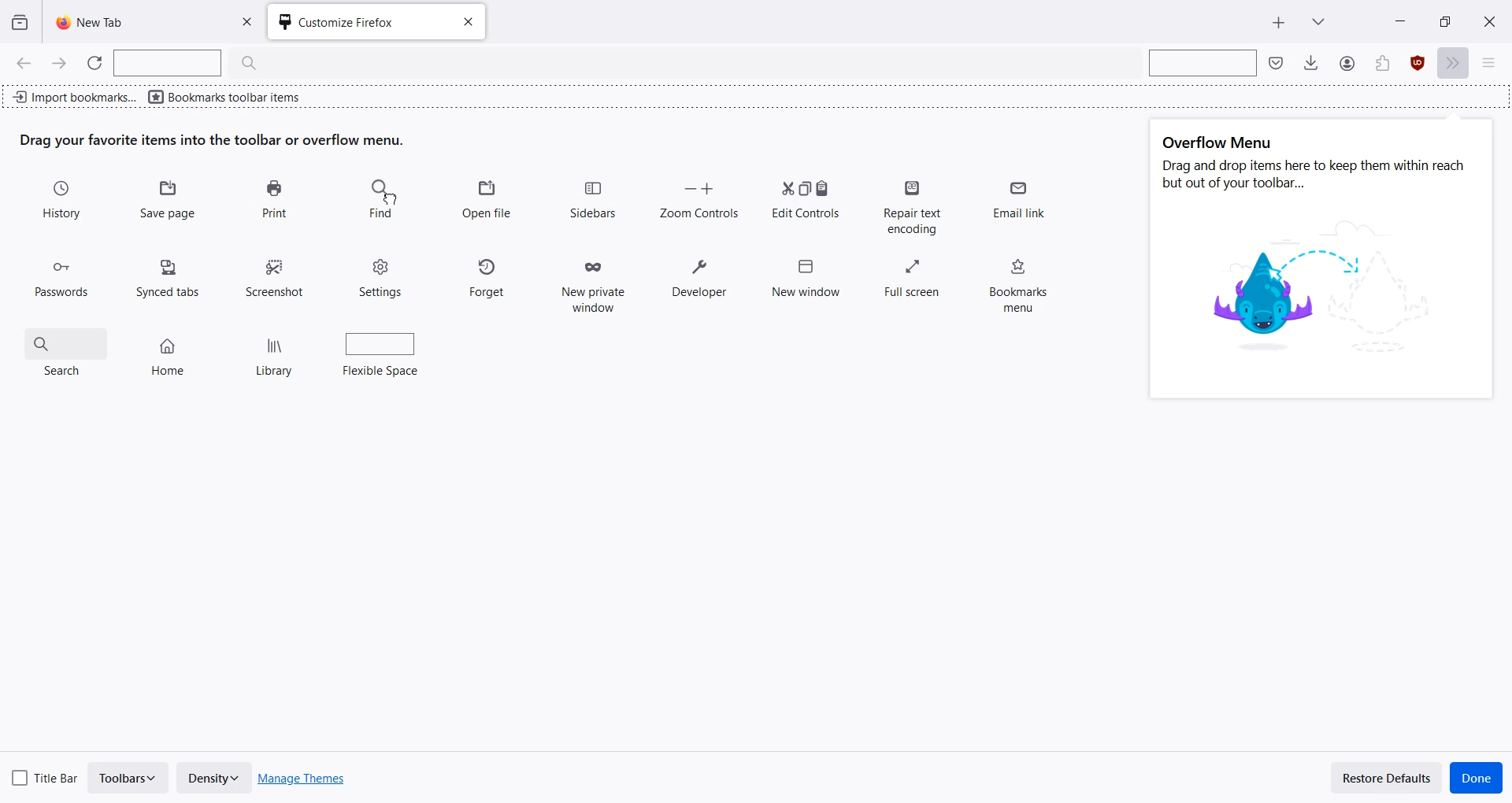 Image resolution: width=1512 pixels, height=803 pixels. I want to click on Library, so click(277, 353).